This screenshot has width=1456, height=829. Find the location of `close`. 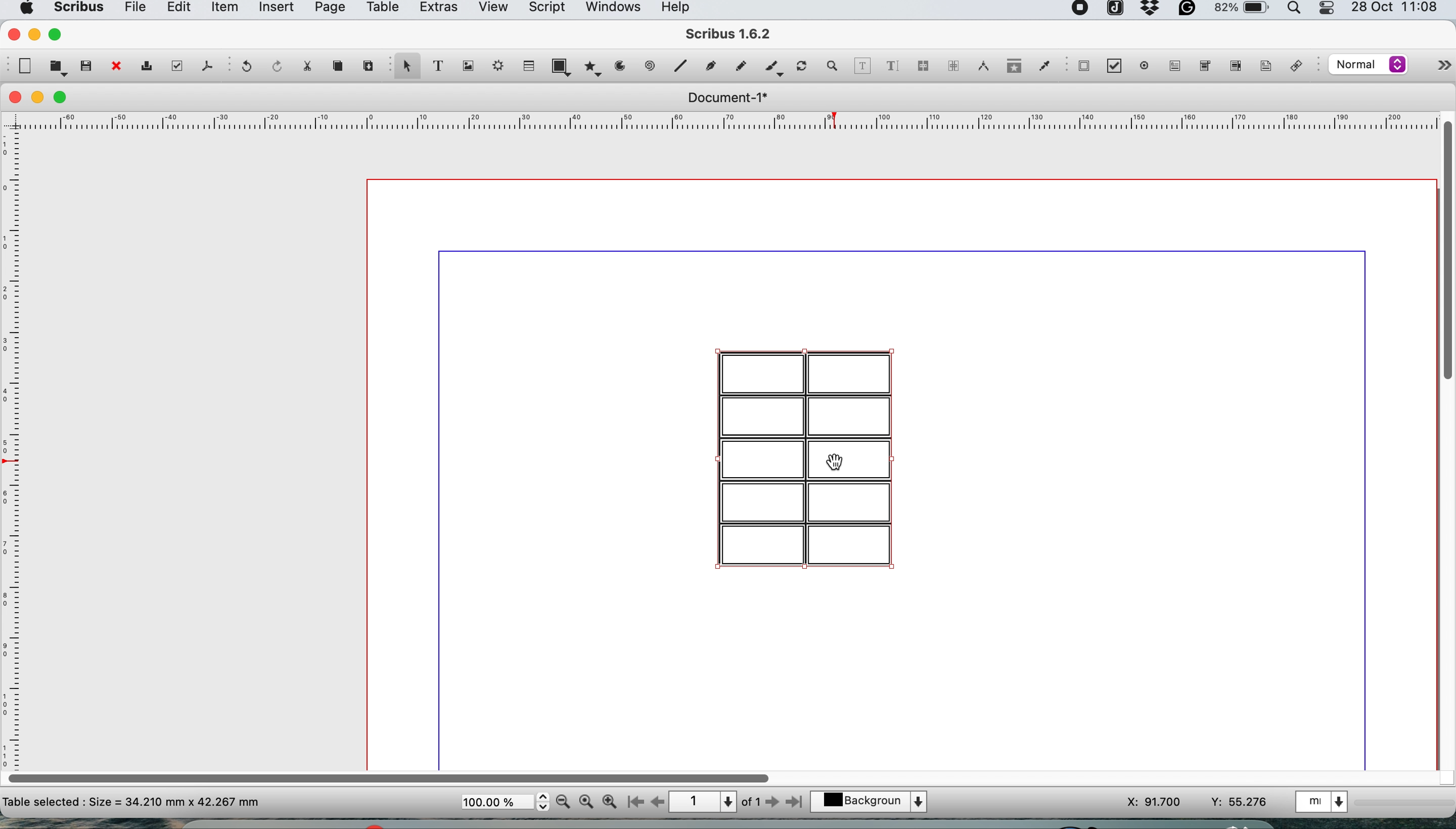

close is located at coordinates (115, 67).